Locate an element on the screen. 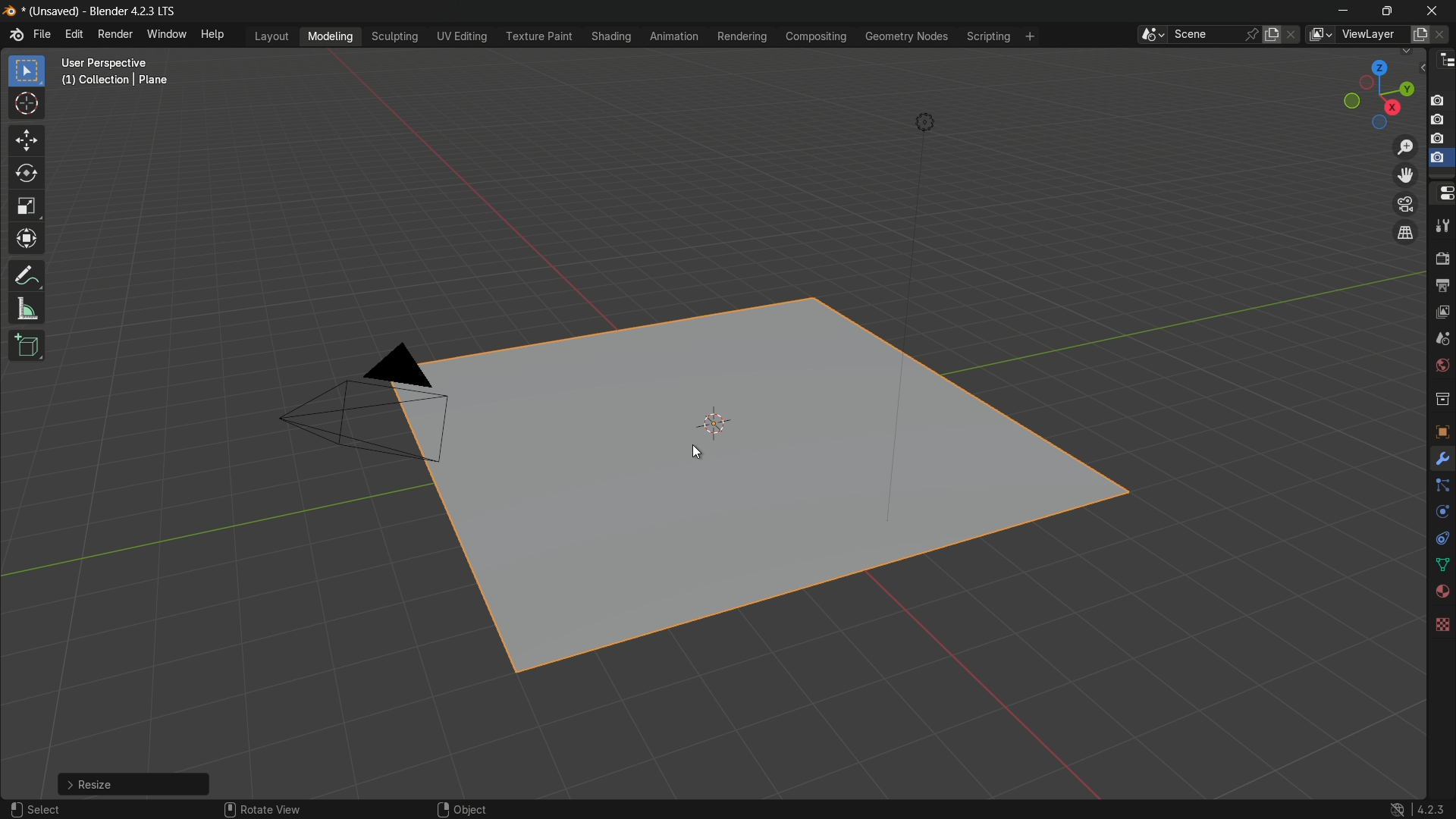  add cube is located at coordinates (28, 348).